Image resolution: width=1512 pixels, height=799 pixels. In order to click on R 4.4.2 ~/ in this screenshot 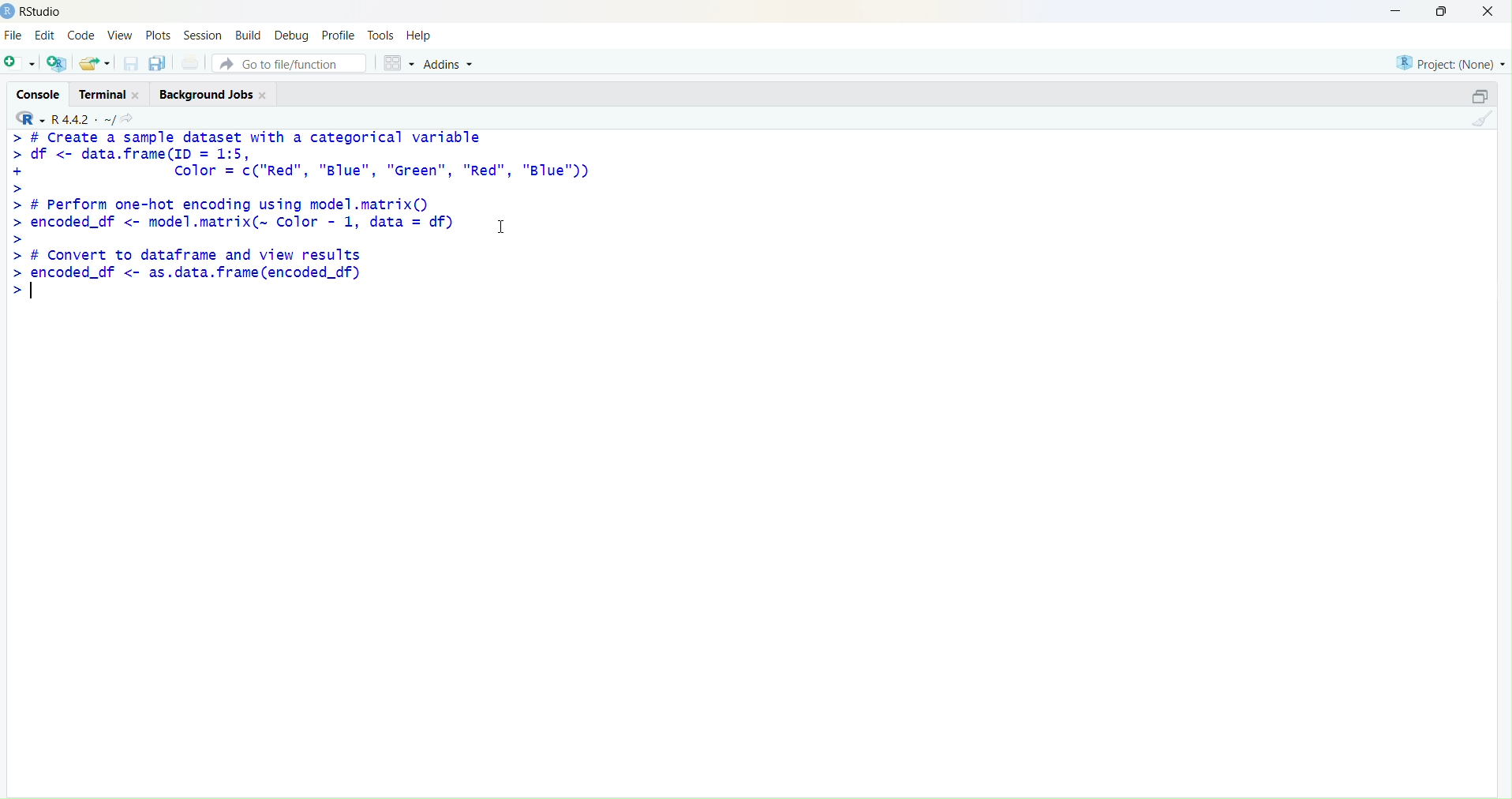, I will do `click(83, 119)`.